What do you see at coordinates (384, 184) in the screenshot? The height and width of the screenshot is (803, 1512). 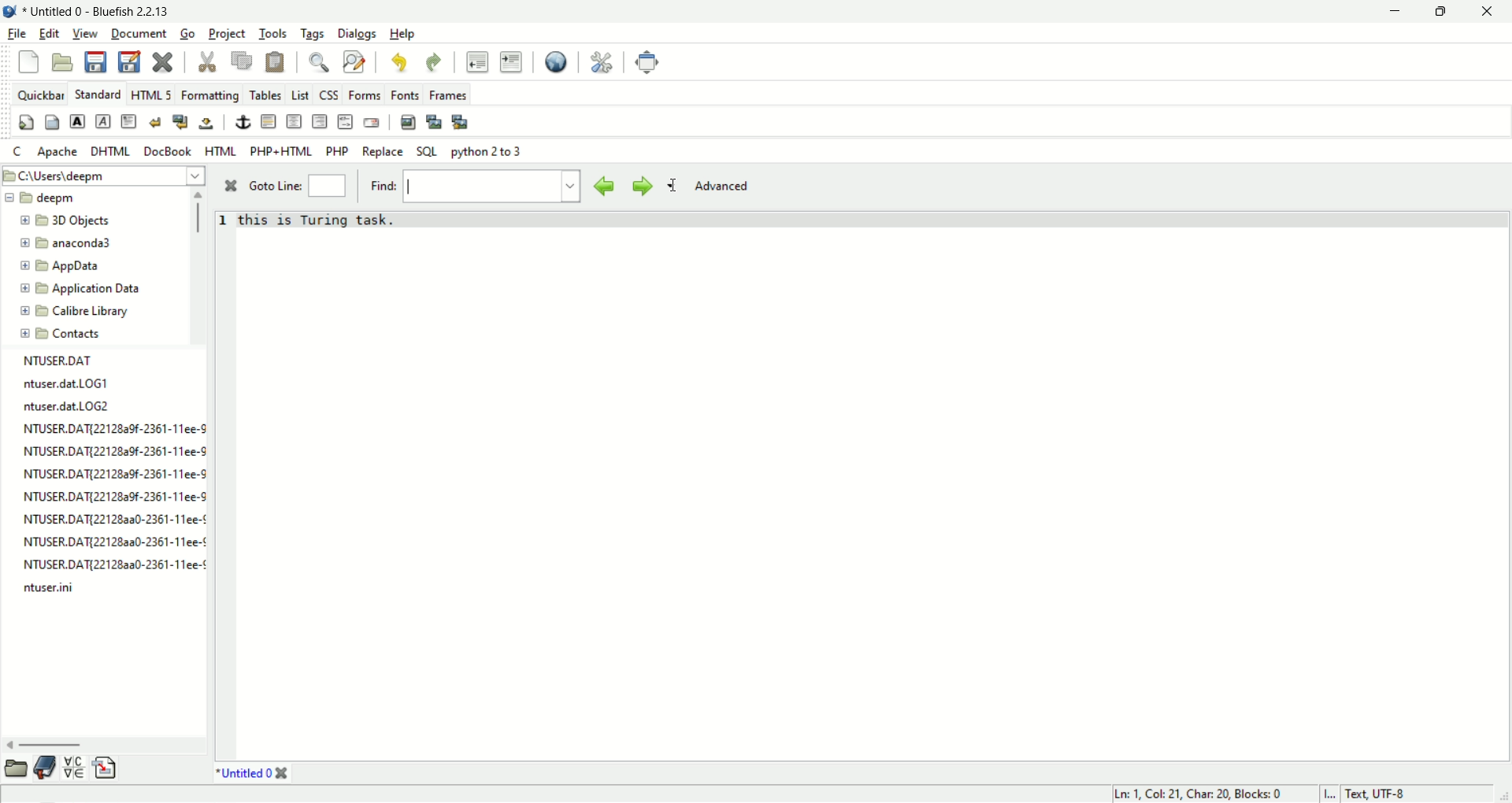 I see `find:` at bounding box center [384, 184].